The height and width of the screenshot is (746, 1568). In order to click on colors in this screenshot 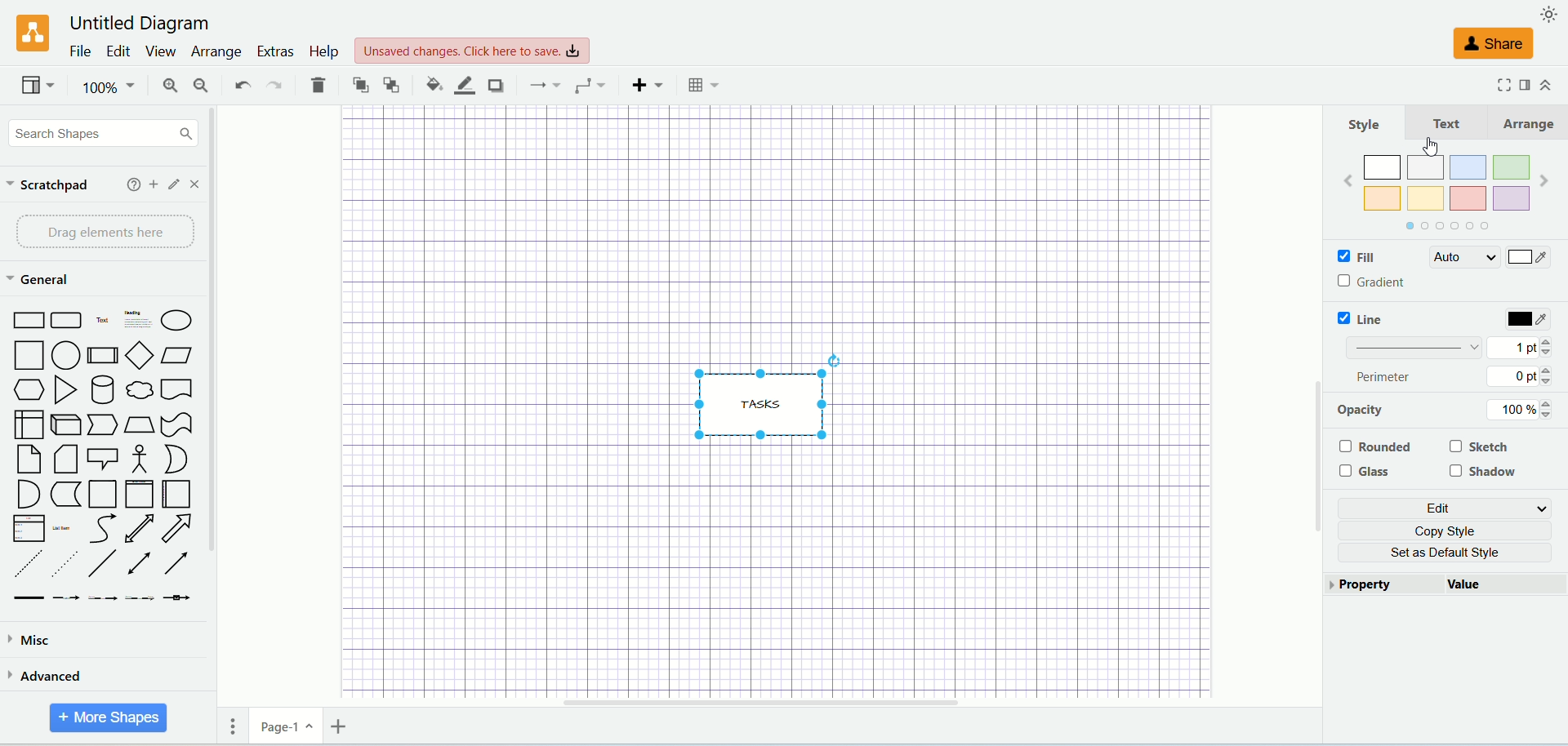, I will do `click(1453, 193)`.